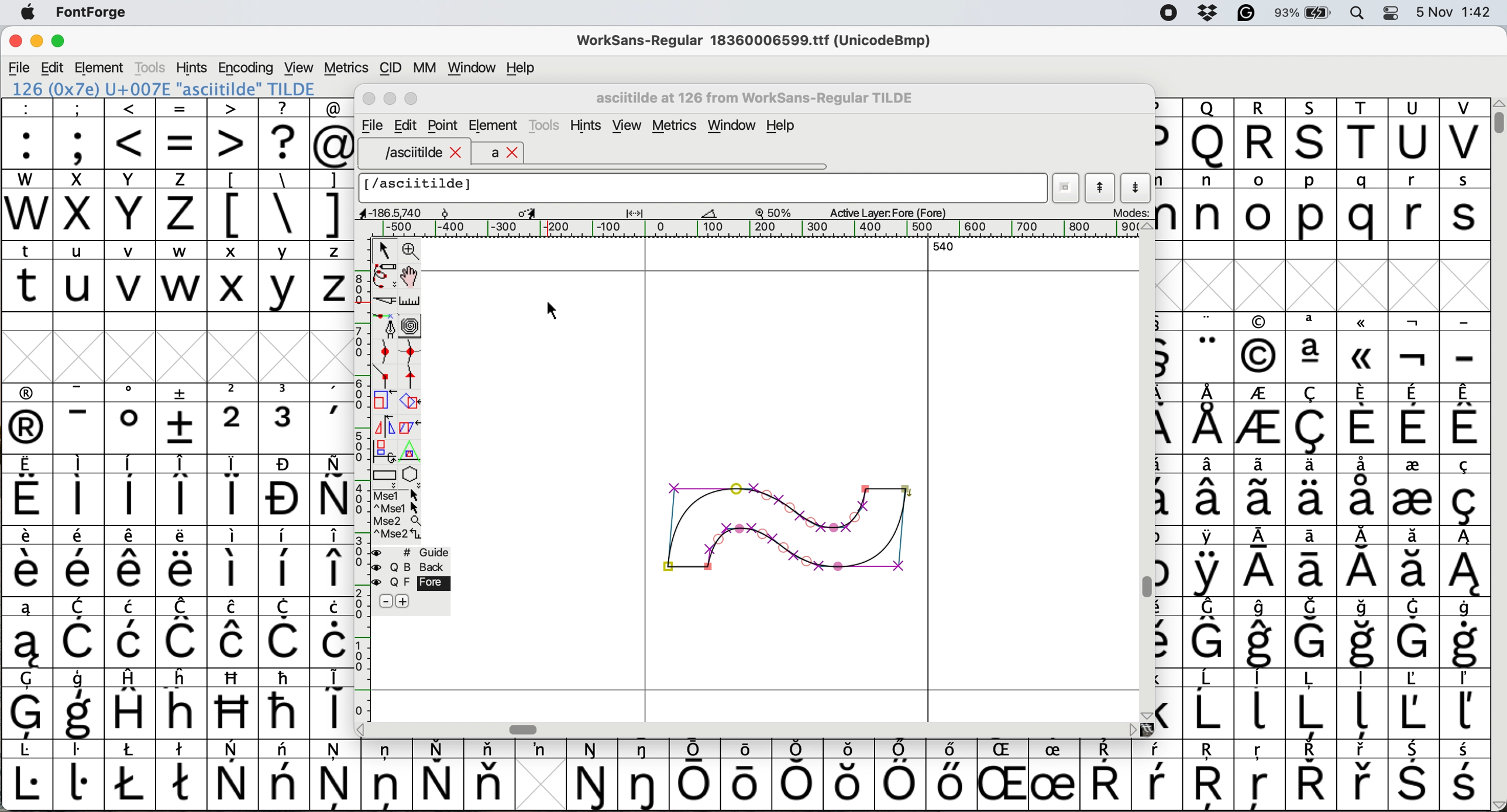 The image size is (1507, 812). Describe the element at coordinates (297, 66) in the screenshot. I see `view` at that location.